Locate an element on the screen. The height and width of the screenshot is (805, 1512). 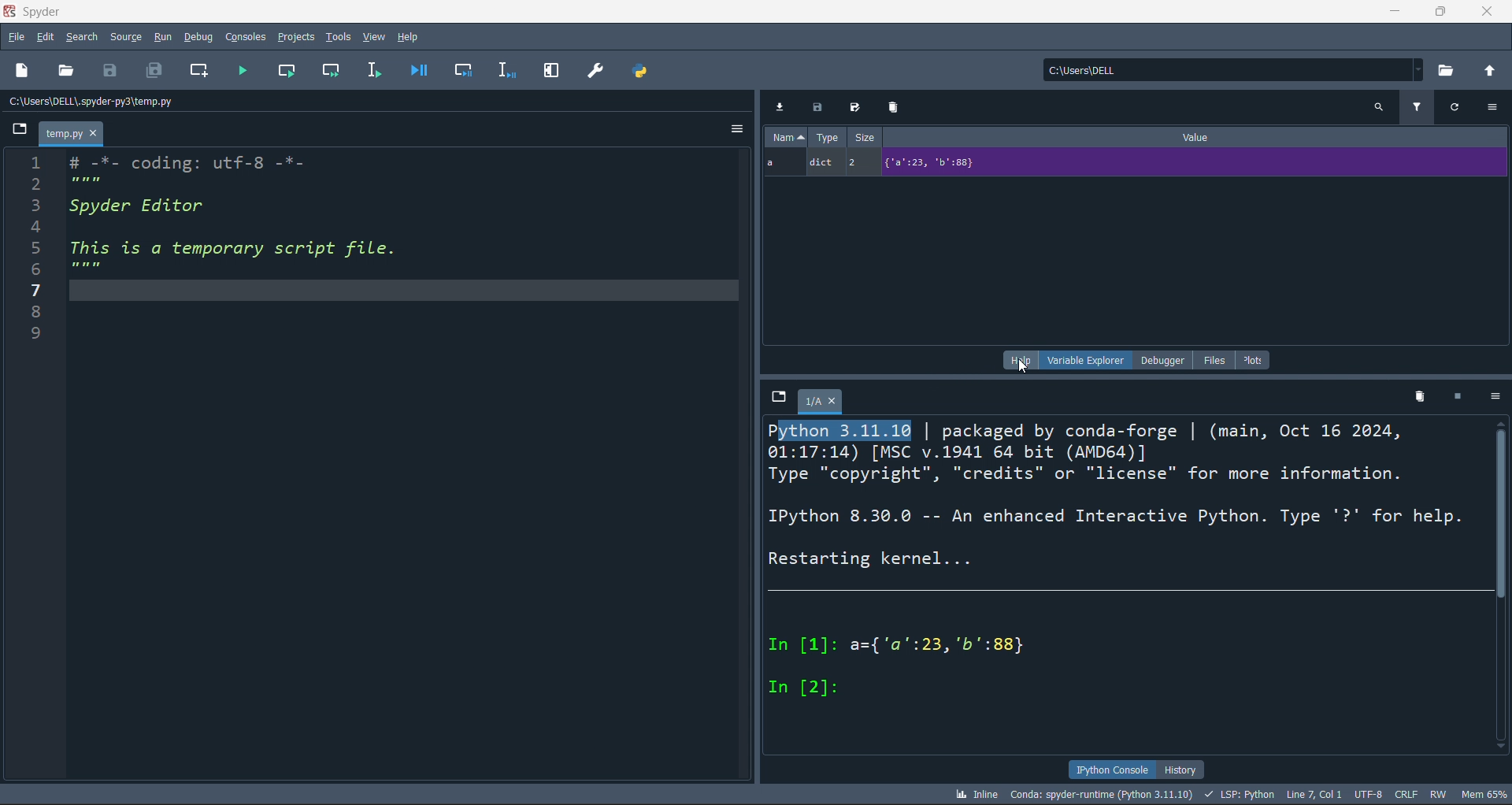
spyder is located at coordinates (56, 12).